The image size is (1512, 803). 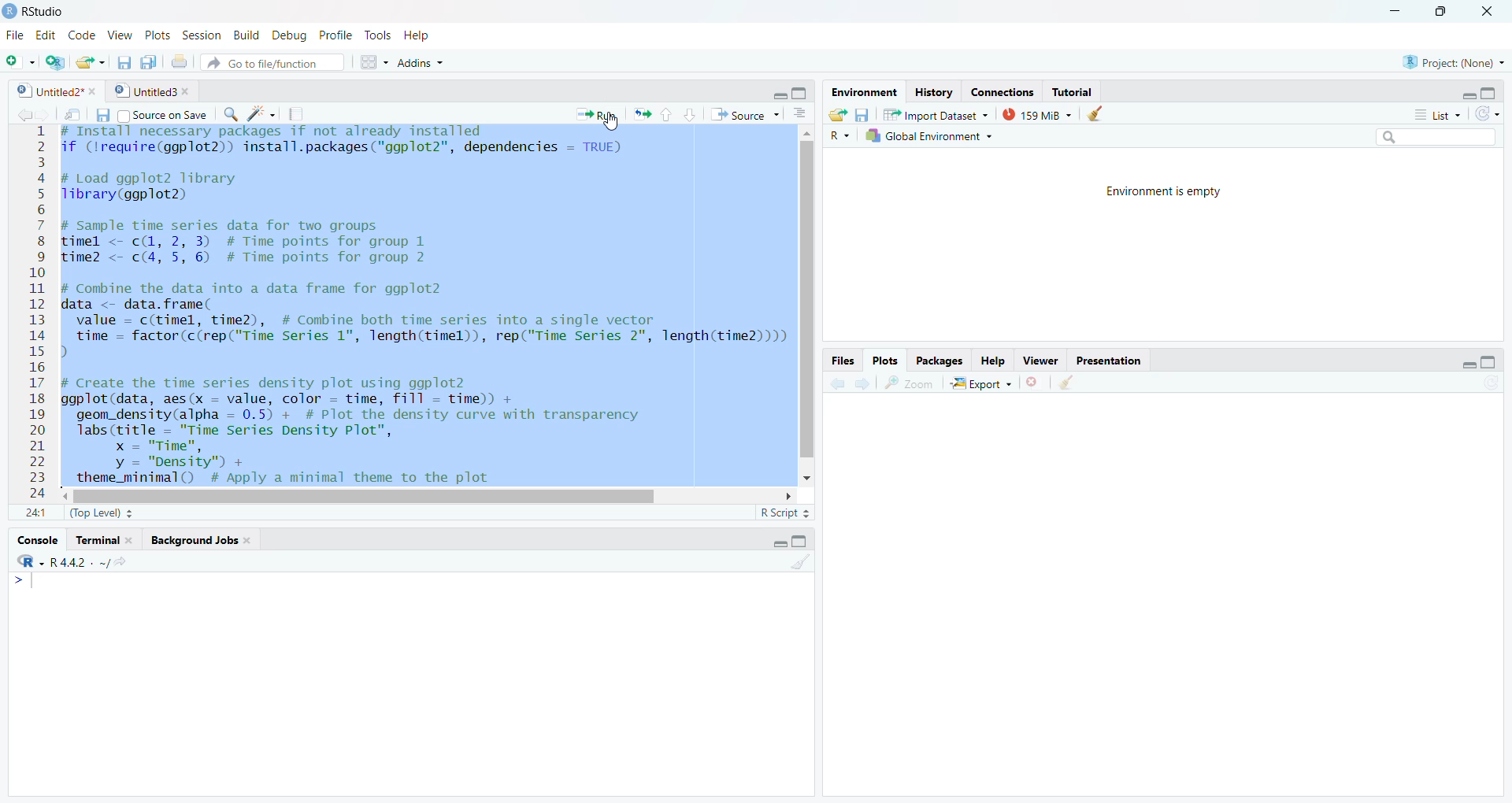 What do you see at coordinates (909, 383) in the screenshot?
I see `Zoom` at bounding box center [909, 383].